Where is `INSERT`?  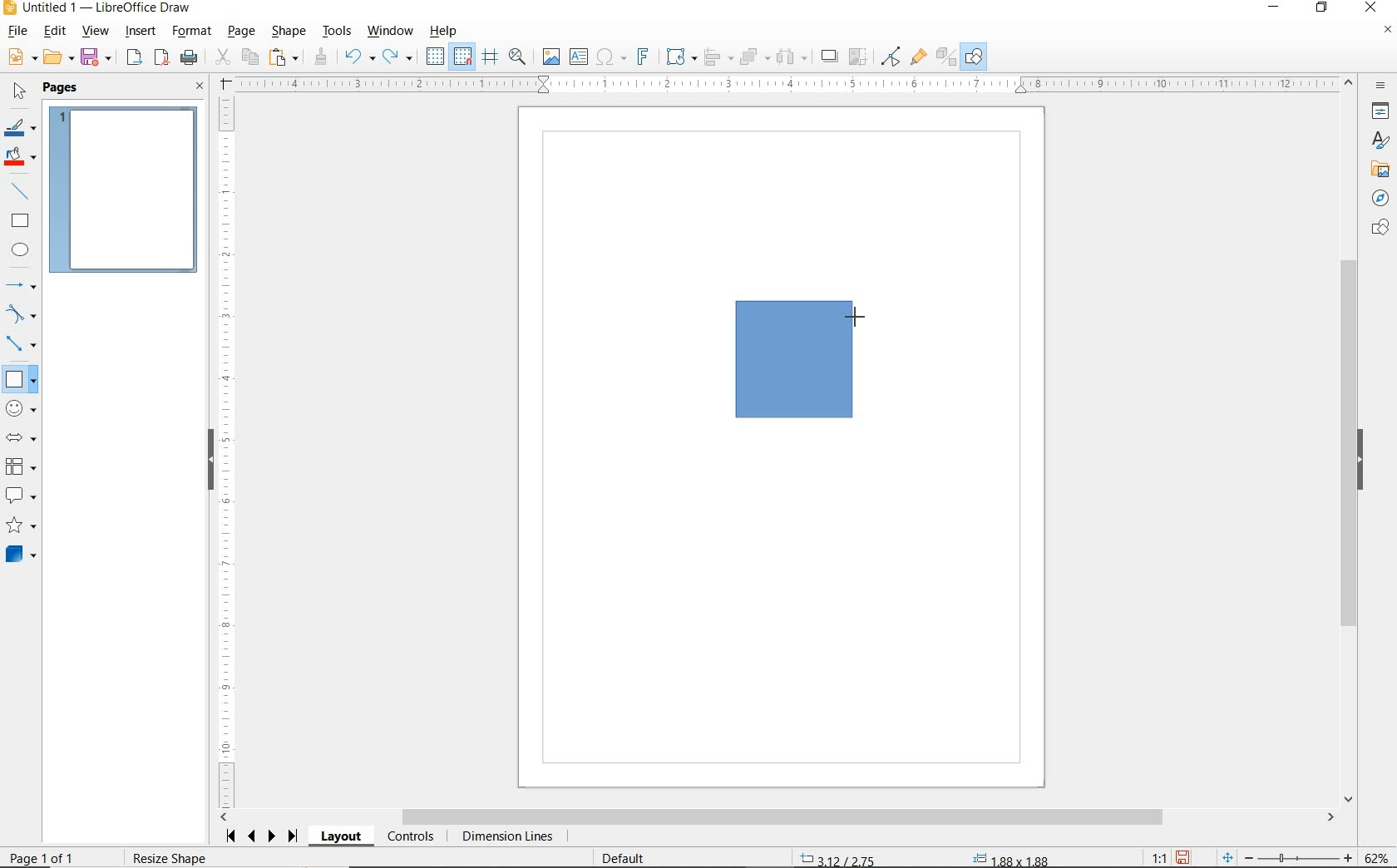
INSERT is located at coordinates (141, 32).